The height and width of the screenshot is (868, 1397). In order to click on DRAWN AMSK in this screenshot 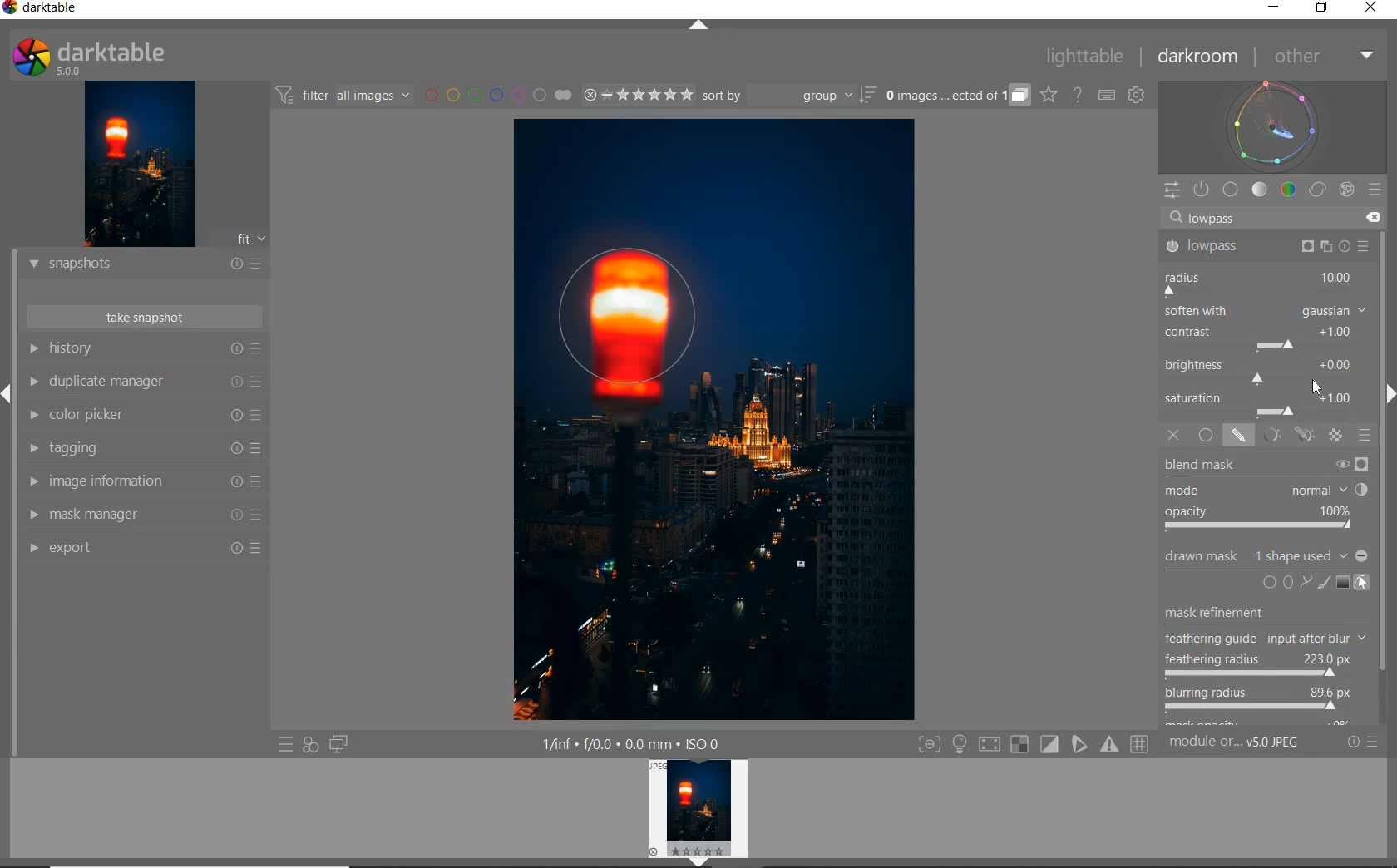, I will do `click(1265, 554)`.